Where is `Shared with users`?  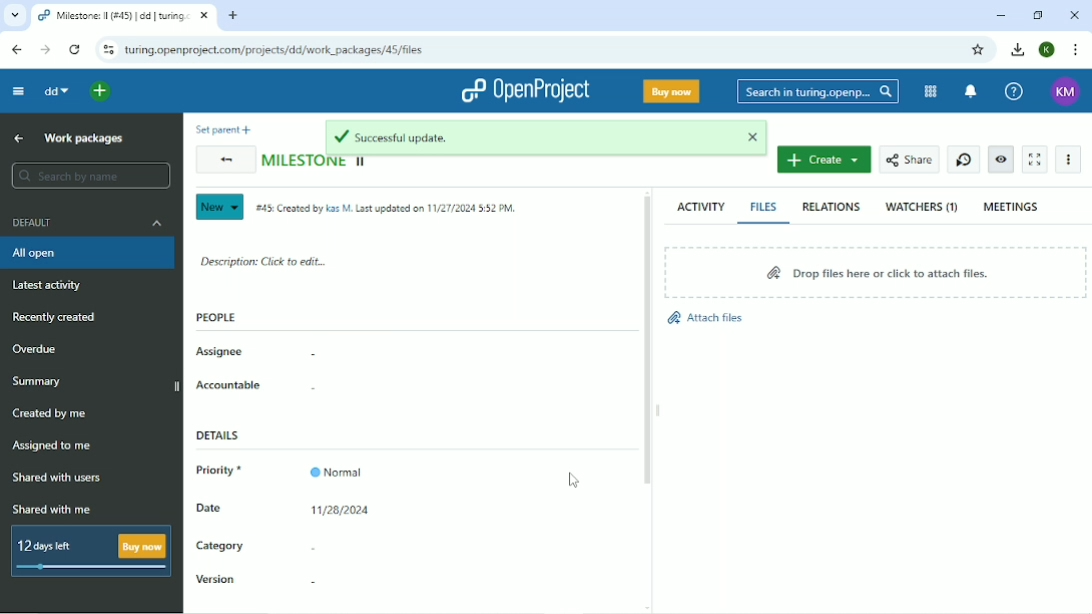 Shared with users is located at coordinates (58, 478).